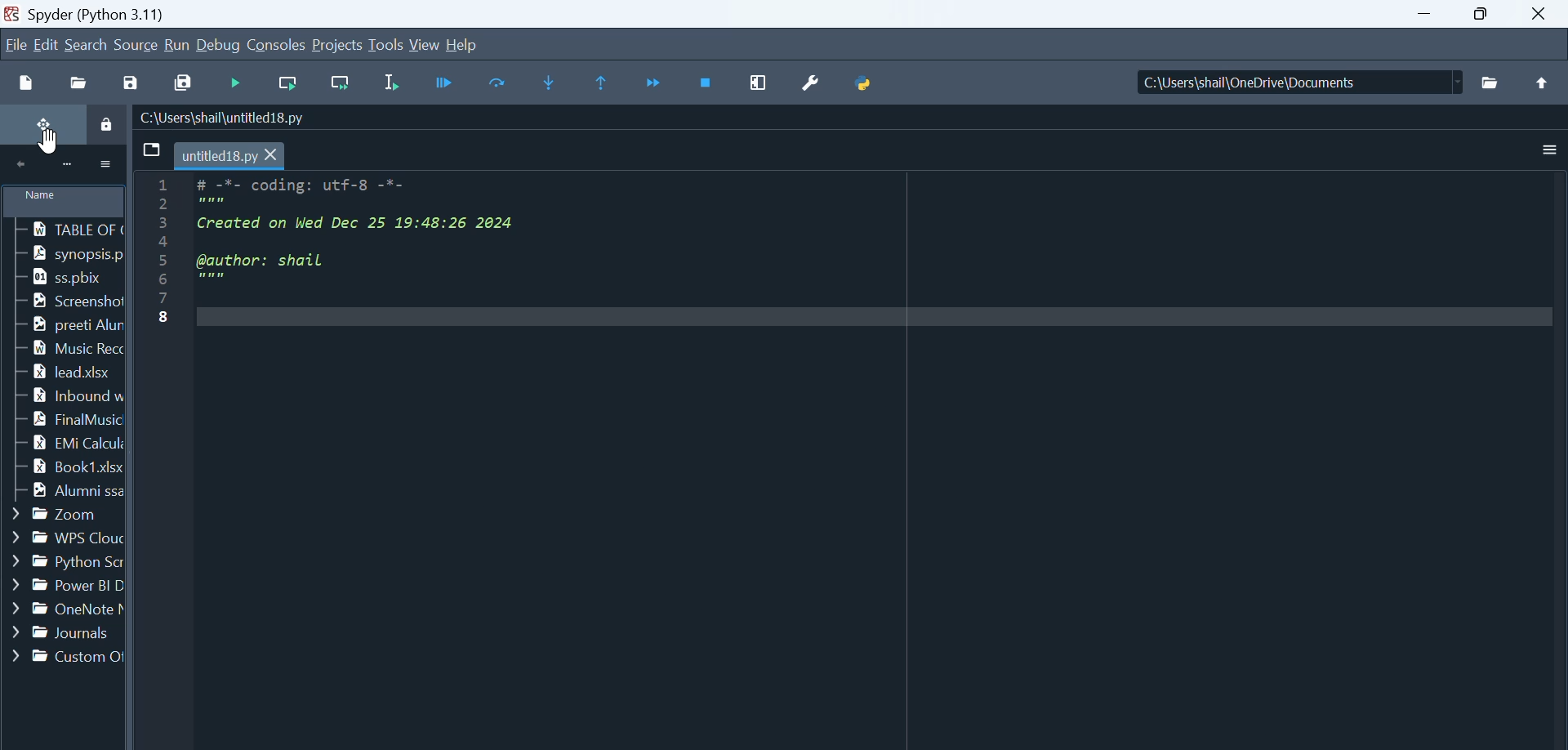  Describe the element at coordinates (60, 253) in the screenshot. I see `synopsis.p..` at that location.